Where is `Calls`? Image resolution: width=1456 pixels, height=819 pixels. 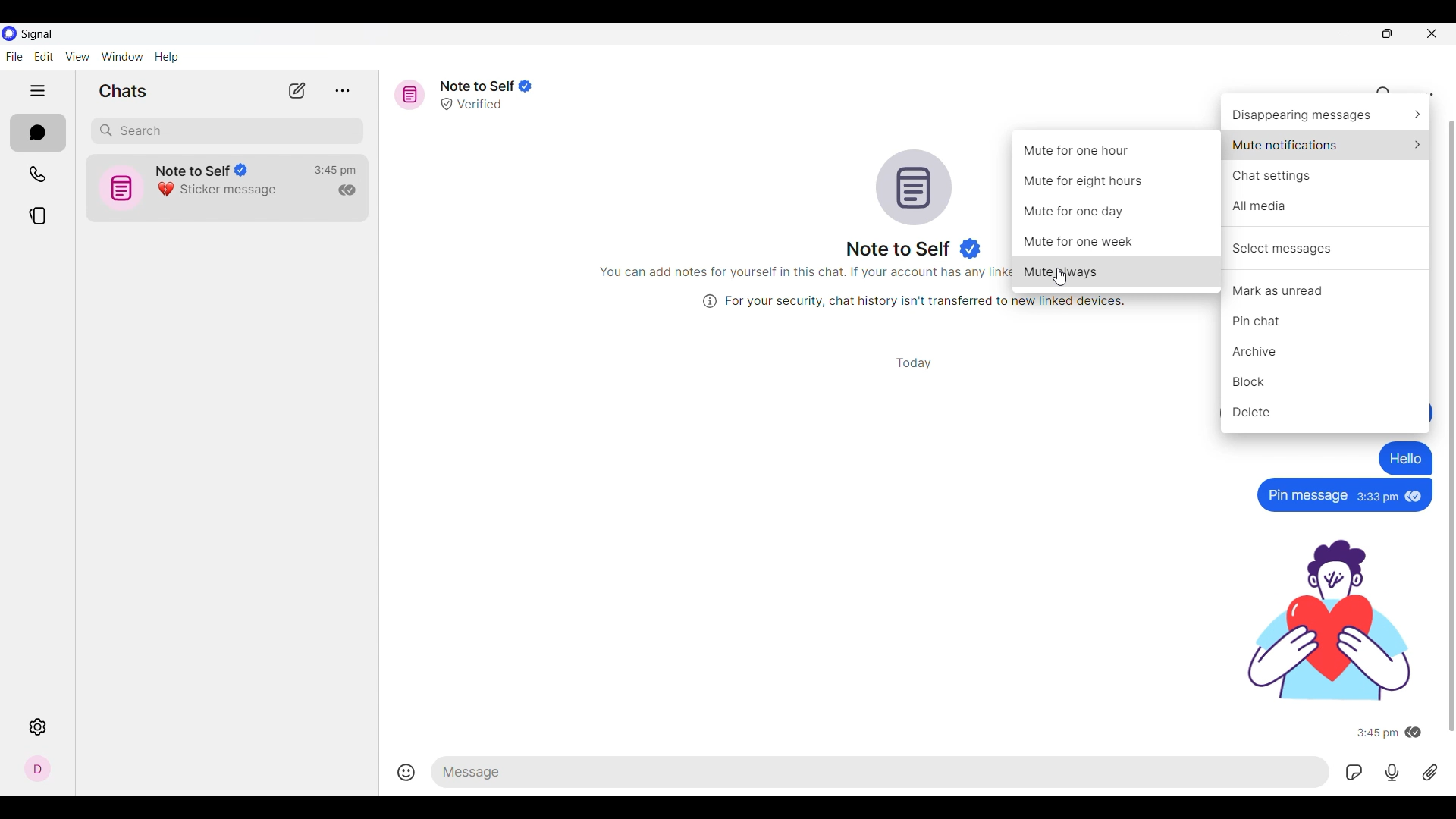
Calls is located at coordinates (38, 174).